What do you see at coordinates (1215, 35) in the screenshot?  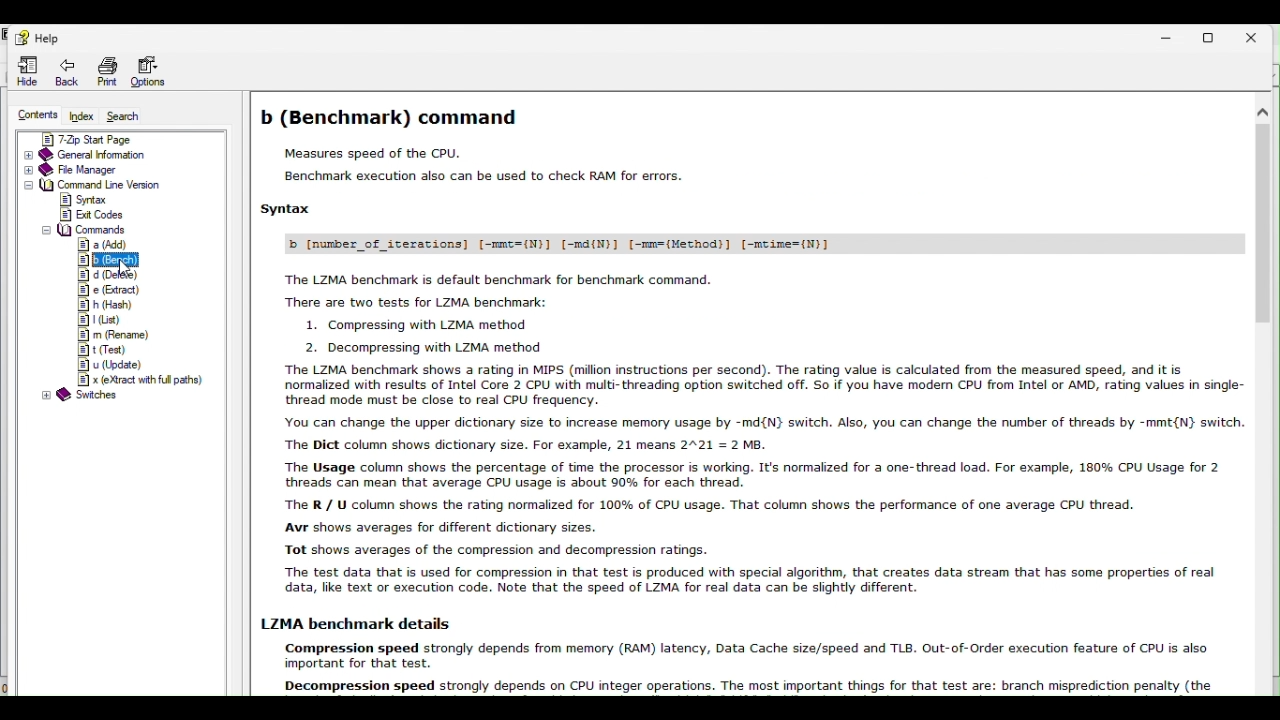 I see `restore` at bounding box center [1215, 35].